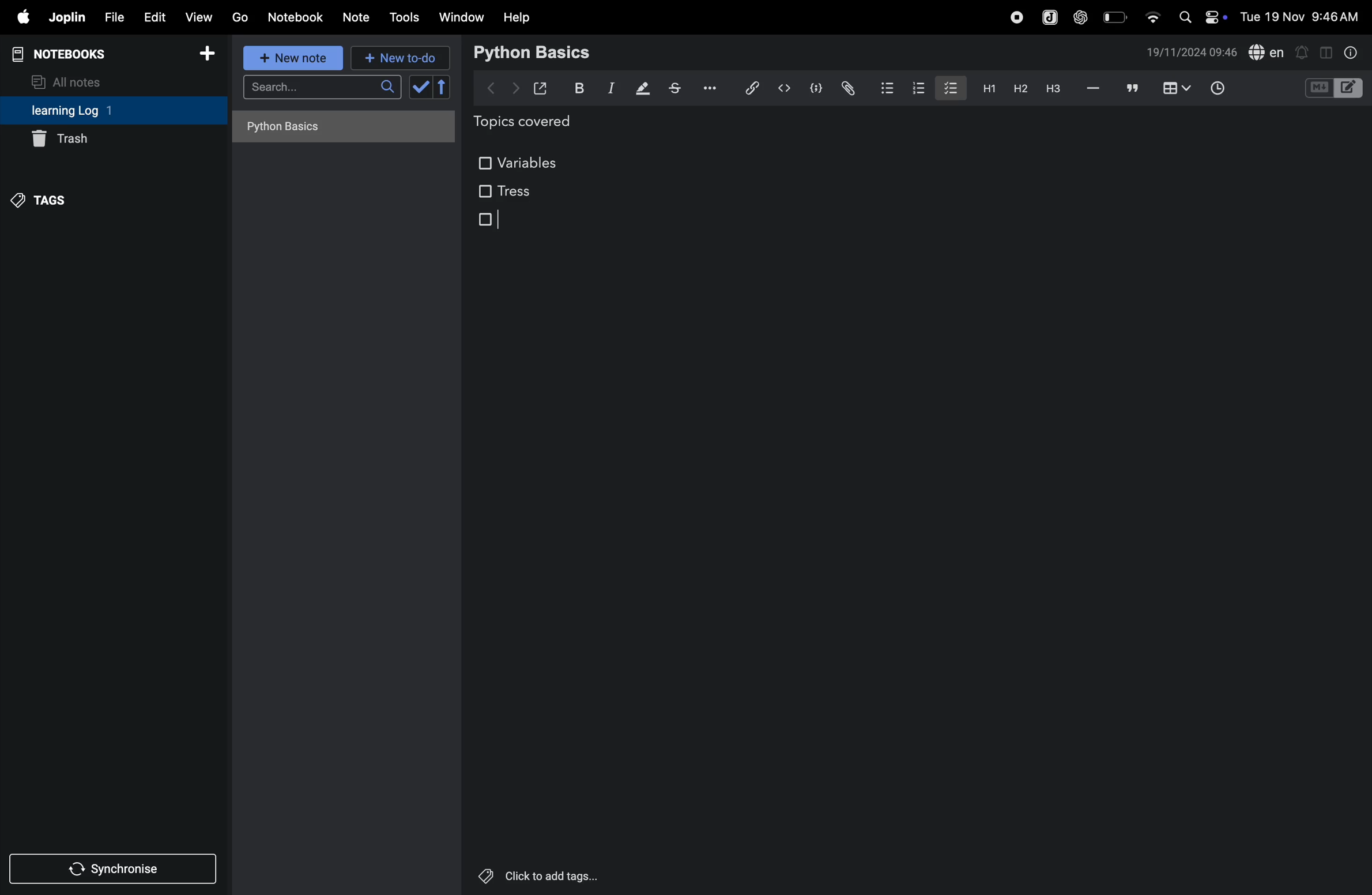  What do you see at coordinates (1020, 88) in the screenshot?
I see `heading 2` at bounding box center [1020, 88].